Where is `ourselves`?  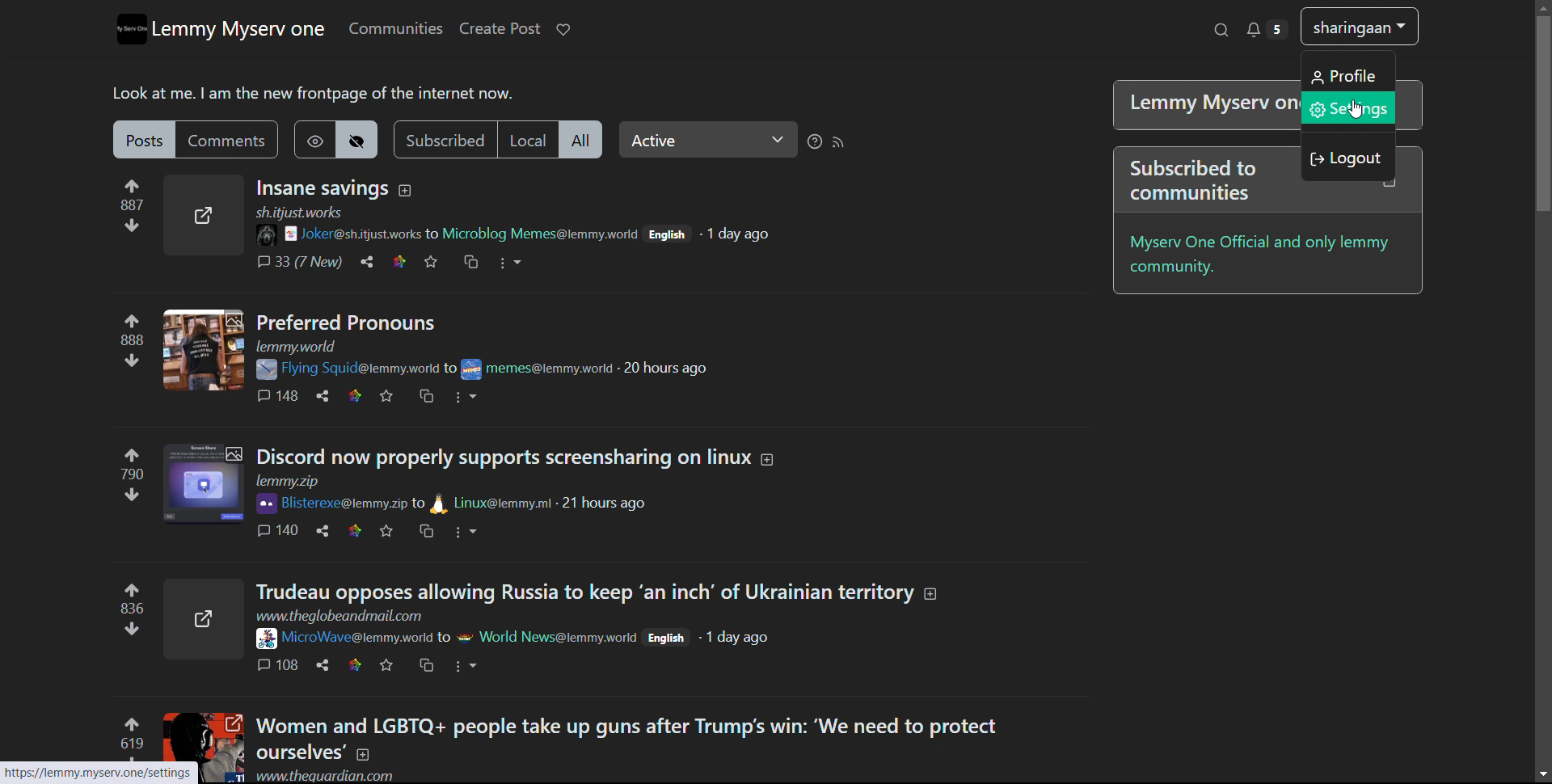
ourselves is located at coordinates (297, 756).